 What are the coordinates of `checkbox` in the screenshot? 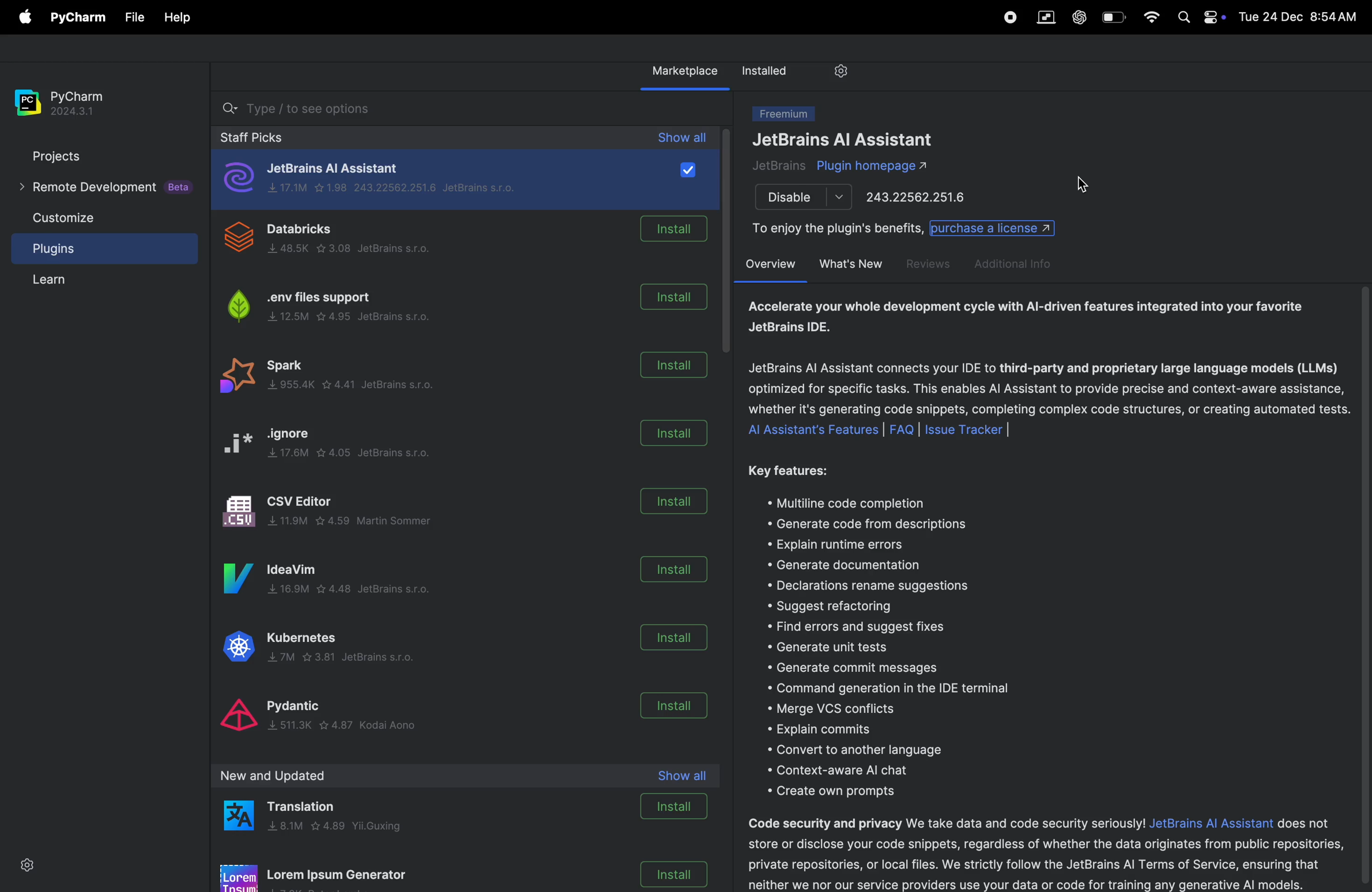 It's located at (691, 170).